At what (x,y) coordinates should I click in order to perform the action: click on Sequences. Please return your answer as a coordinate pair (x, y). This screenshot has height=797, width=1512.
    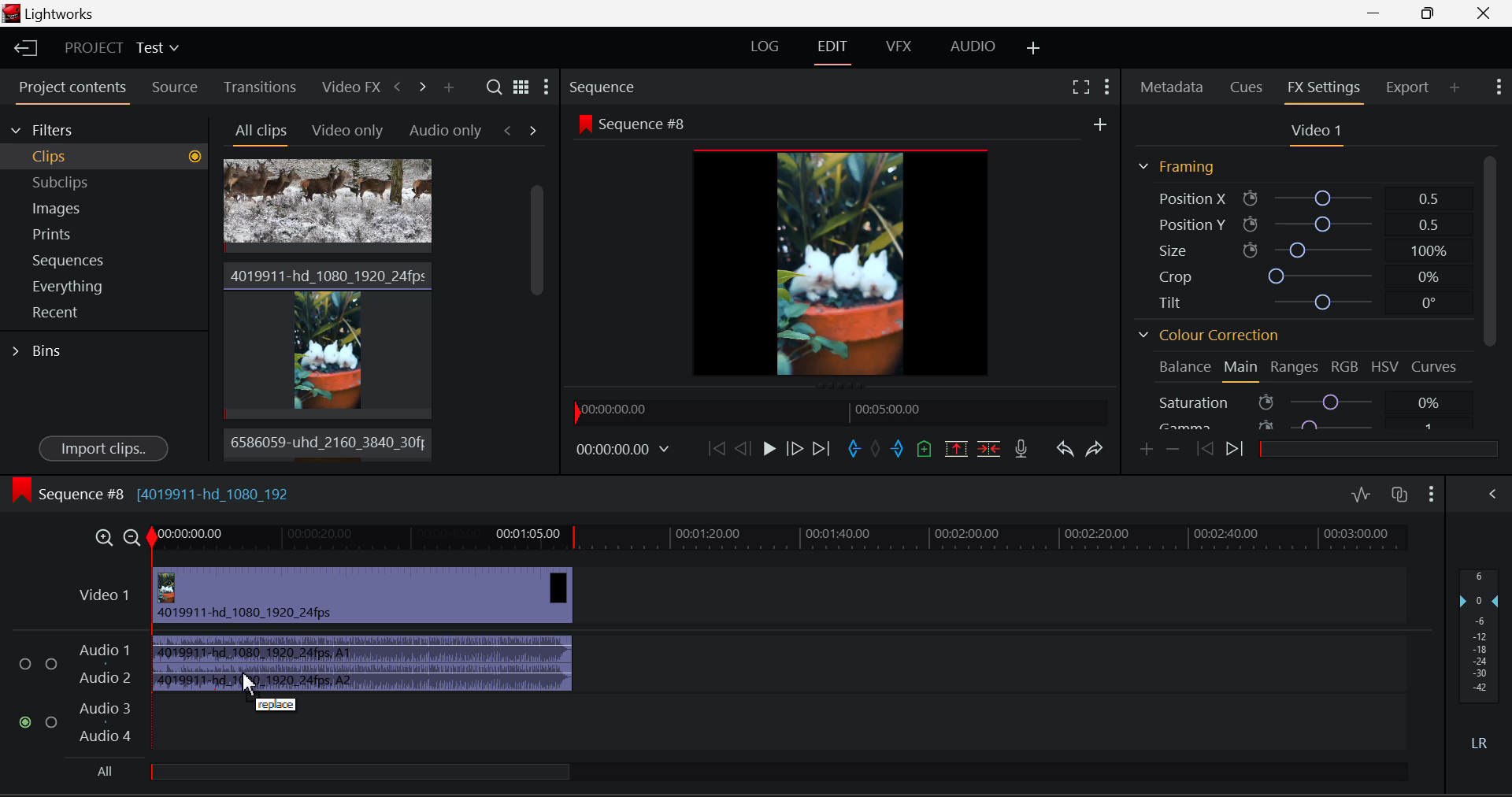
    Looking at the image, I should click on (106, 259).